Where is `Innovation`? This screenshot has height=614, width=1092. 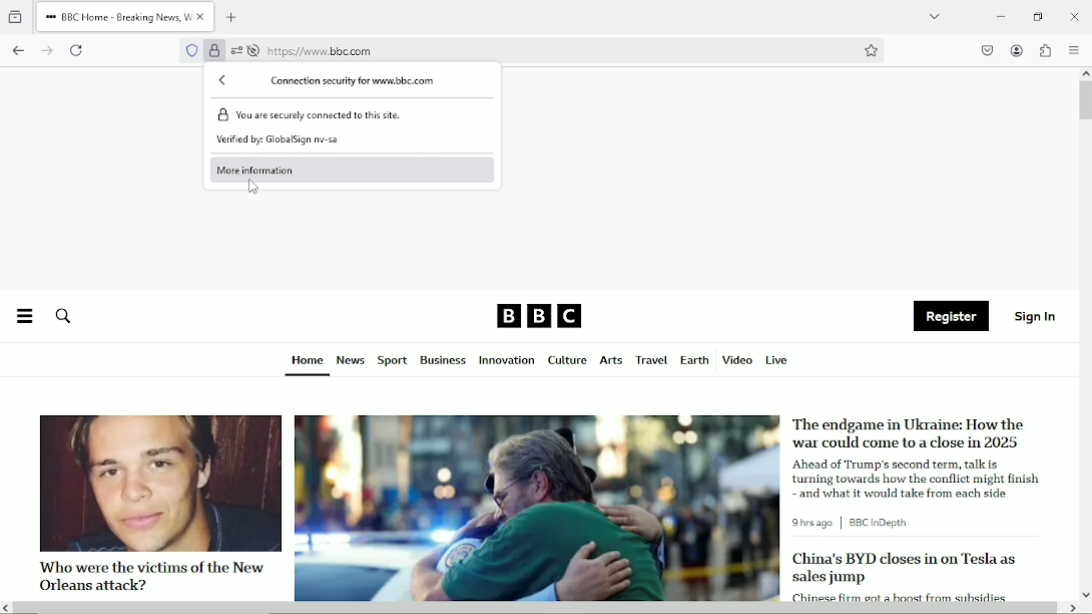
Innovation is located at coordinates (507, 361).